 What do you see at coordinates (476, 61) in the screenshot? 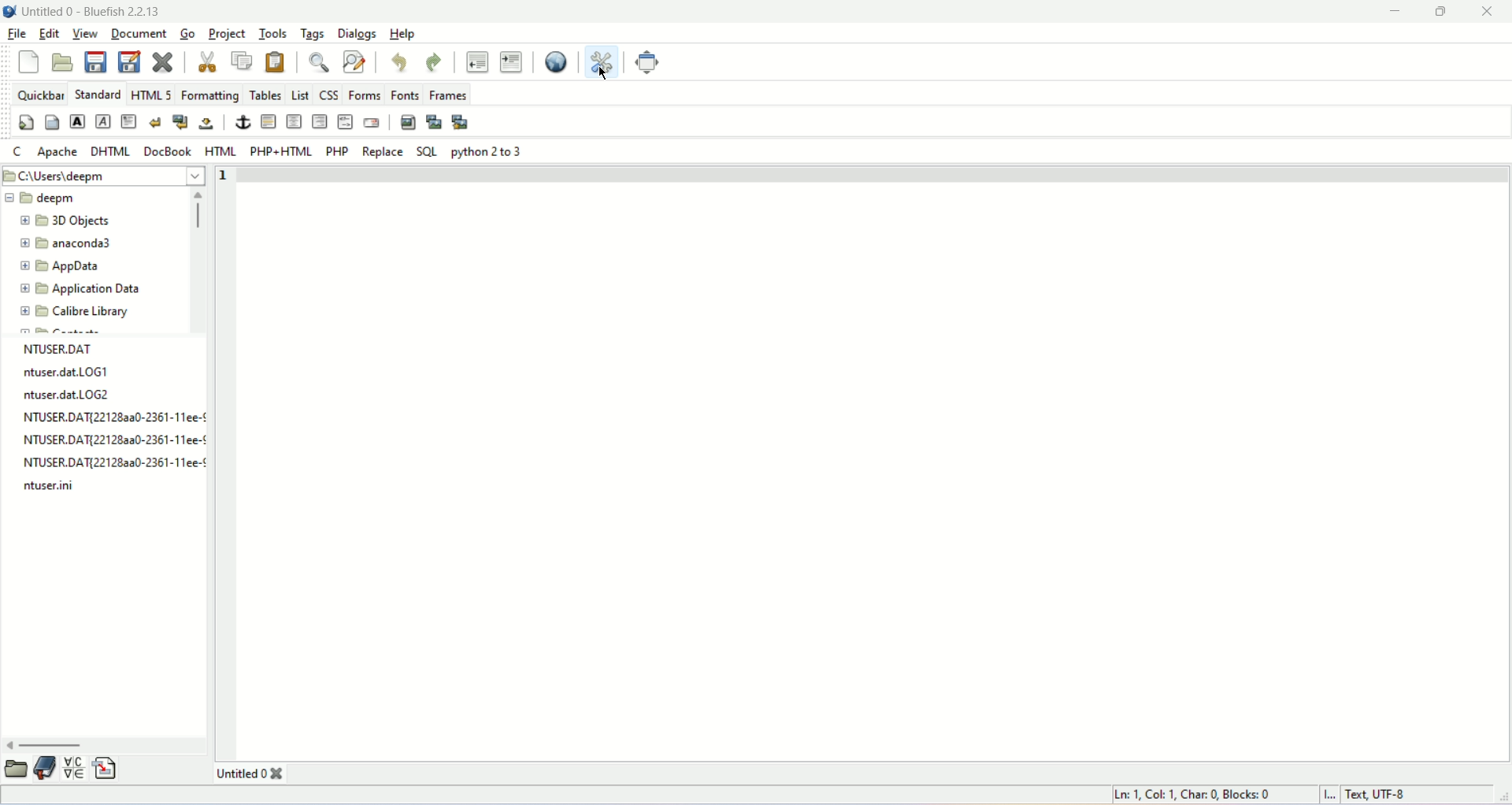
I see `unindent` at bounding box center [476, 61].